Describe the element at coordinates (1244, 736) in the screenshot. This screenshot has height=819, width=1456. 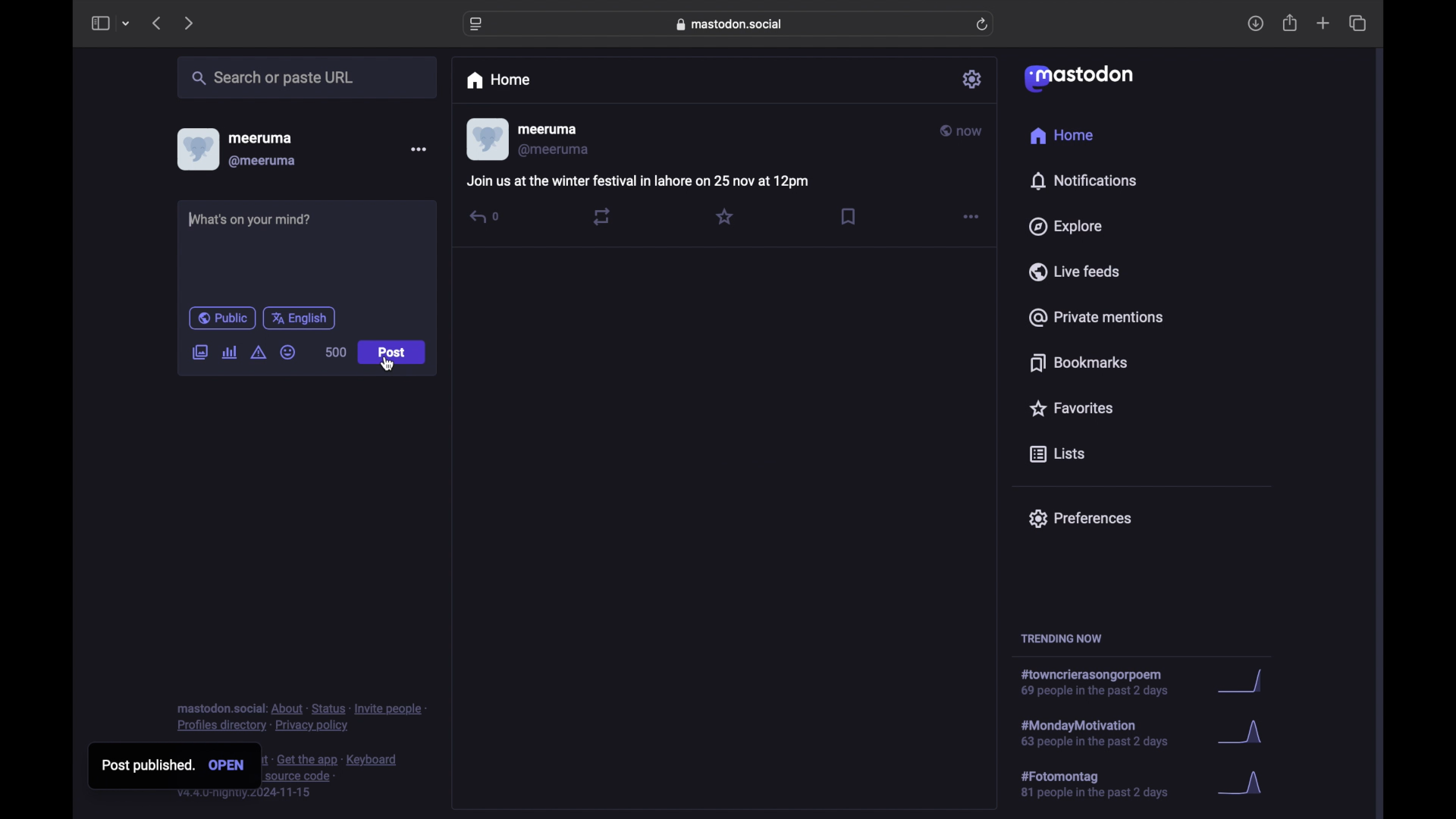
I see `graph` at that location.